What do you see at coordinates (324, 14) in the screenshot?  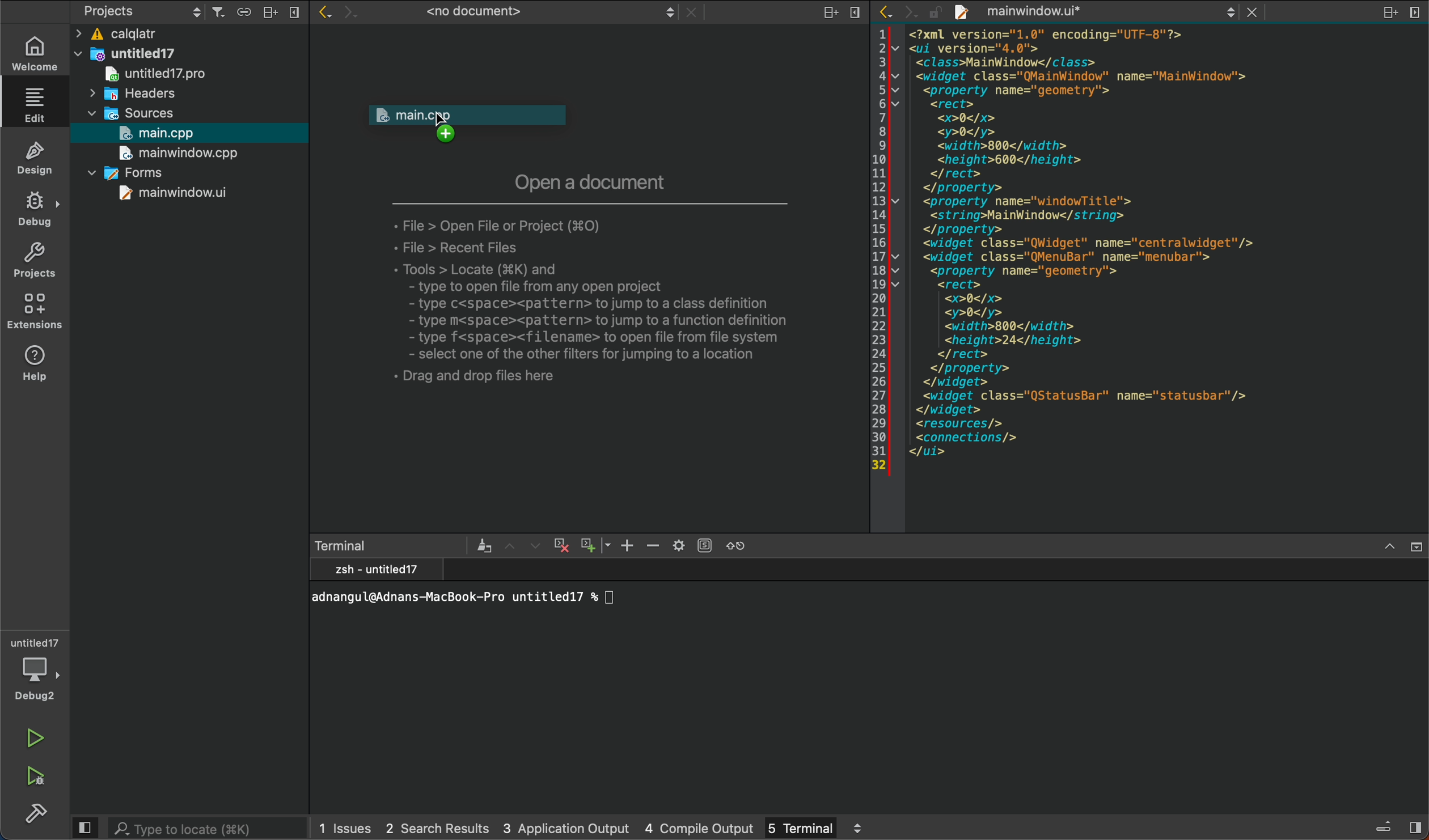 I see `go back` at bounding box center [324, 14].